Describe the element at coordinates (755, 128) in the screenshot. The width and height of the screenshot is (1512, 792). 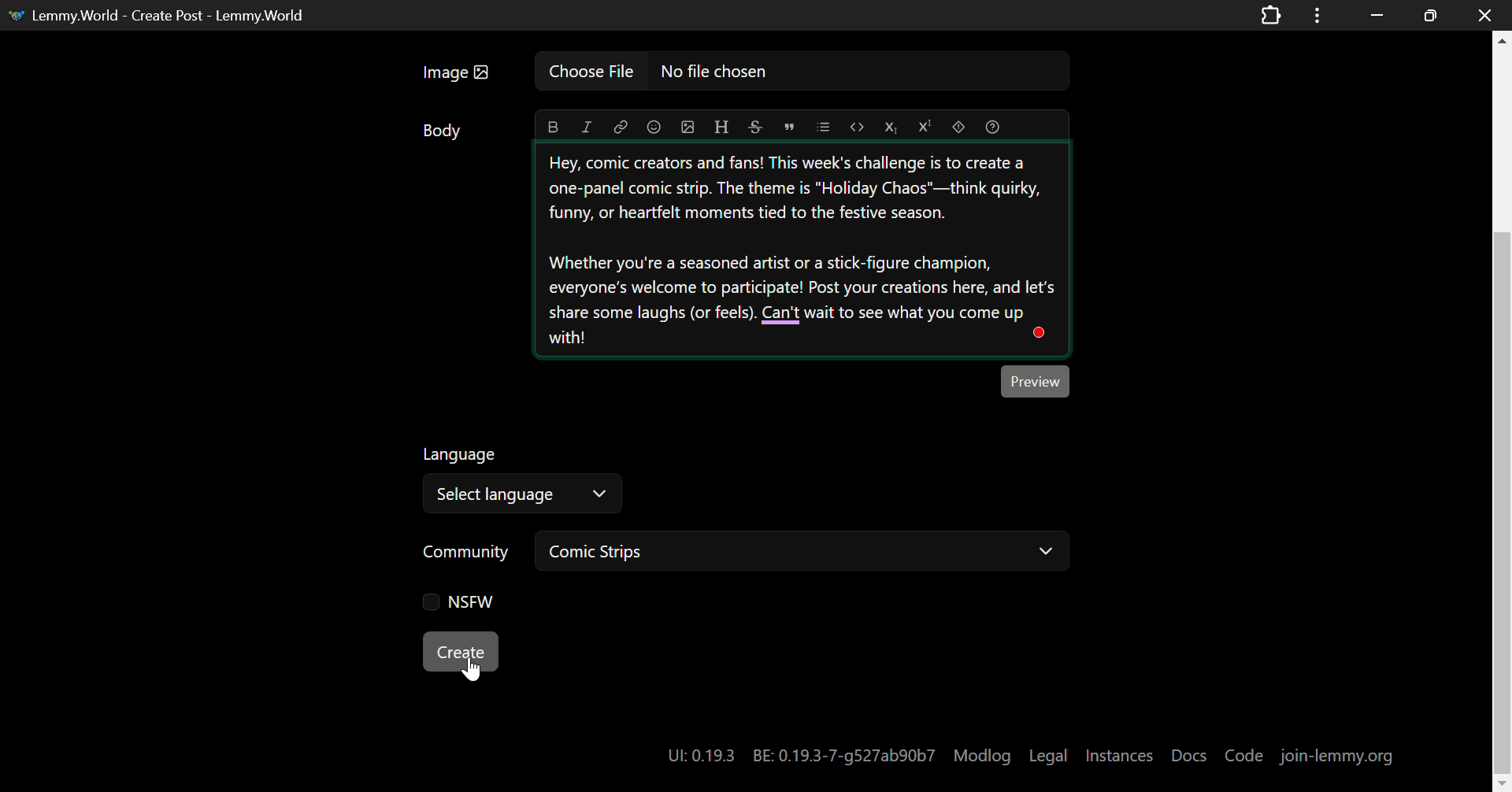
I see `strikethrough` at that location.